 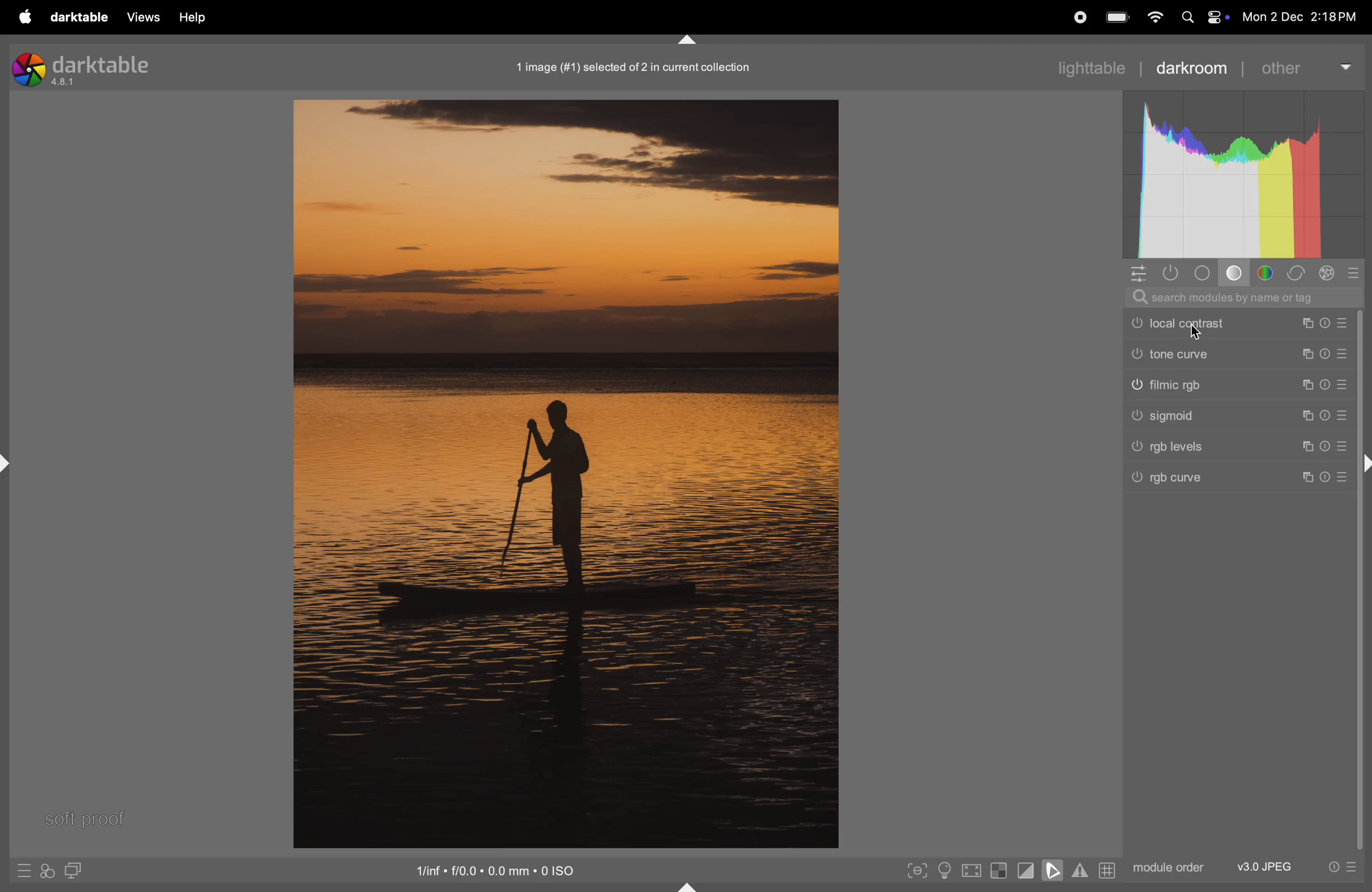 I want to click on cursor, so click(x=1197, y=333).